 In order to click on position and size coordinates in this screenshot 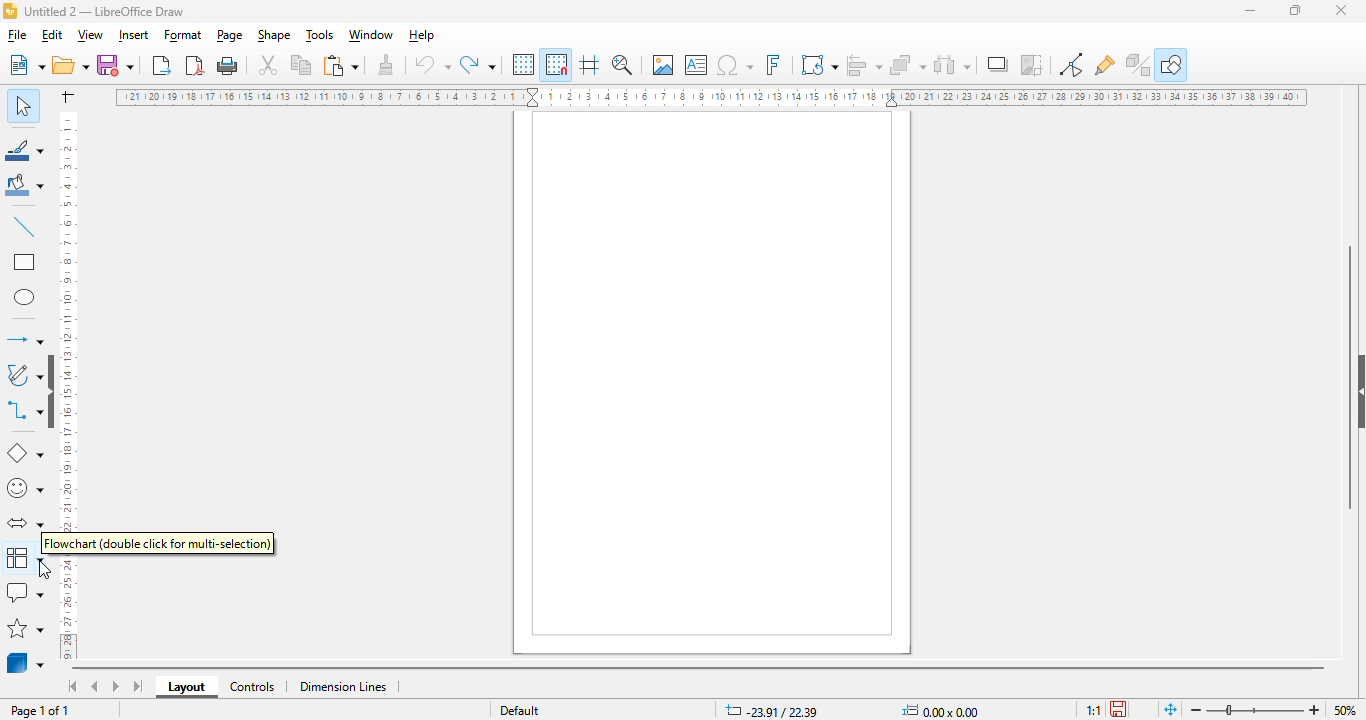, I will do `click(772, 709)`.